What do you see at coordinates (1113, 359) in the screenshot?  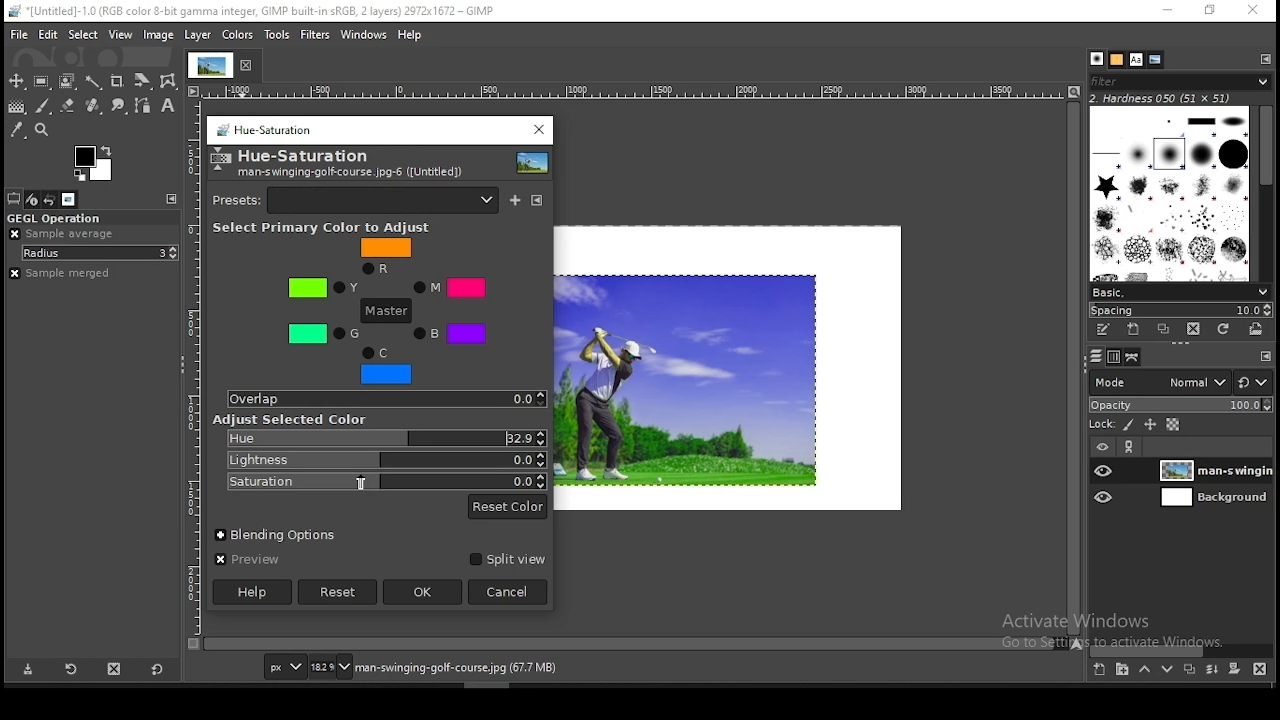 I see `channels` at bounding box center [1113, 359].